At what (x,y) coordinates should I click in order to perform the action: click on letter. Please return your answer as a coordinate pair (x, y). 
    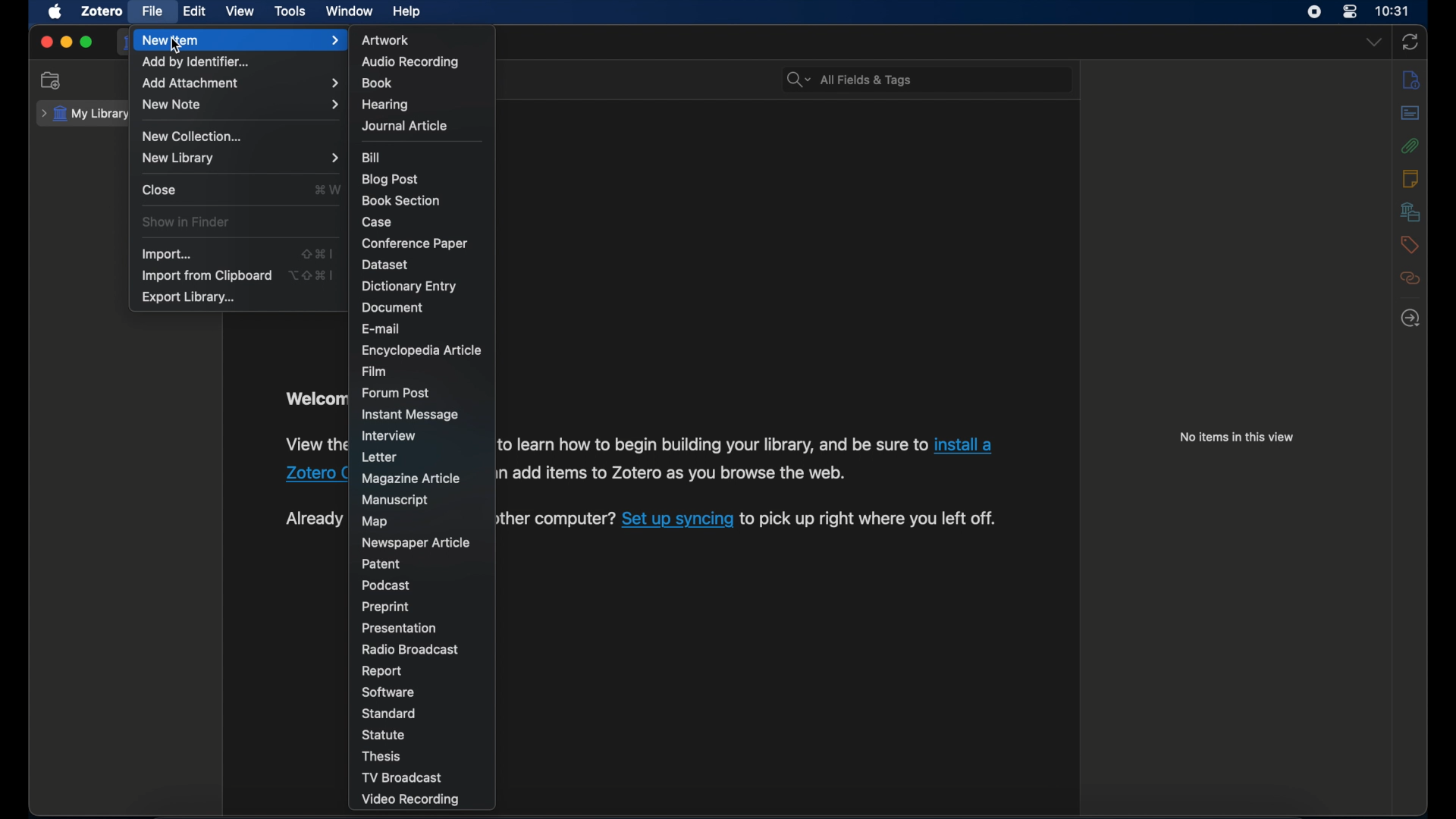
    Looking at the image, I should click on (381, 457).